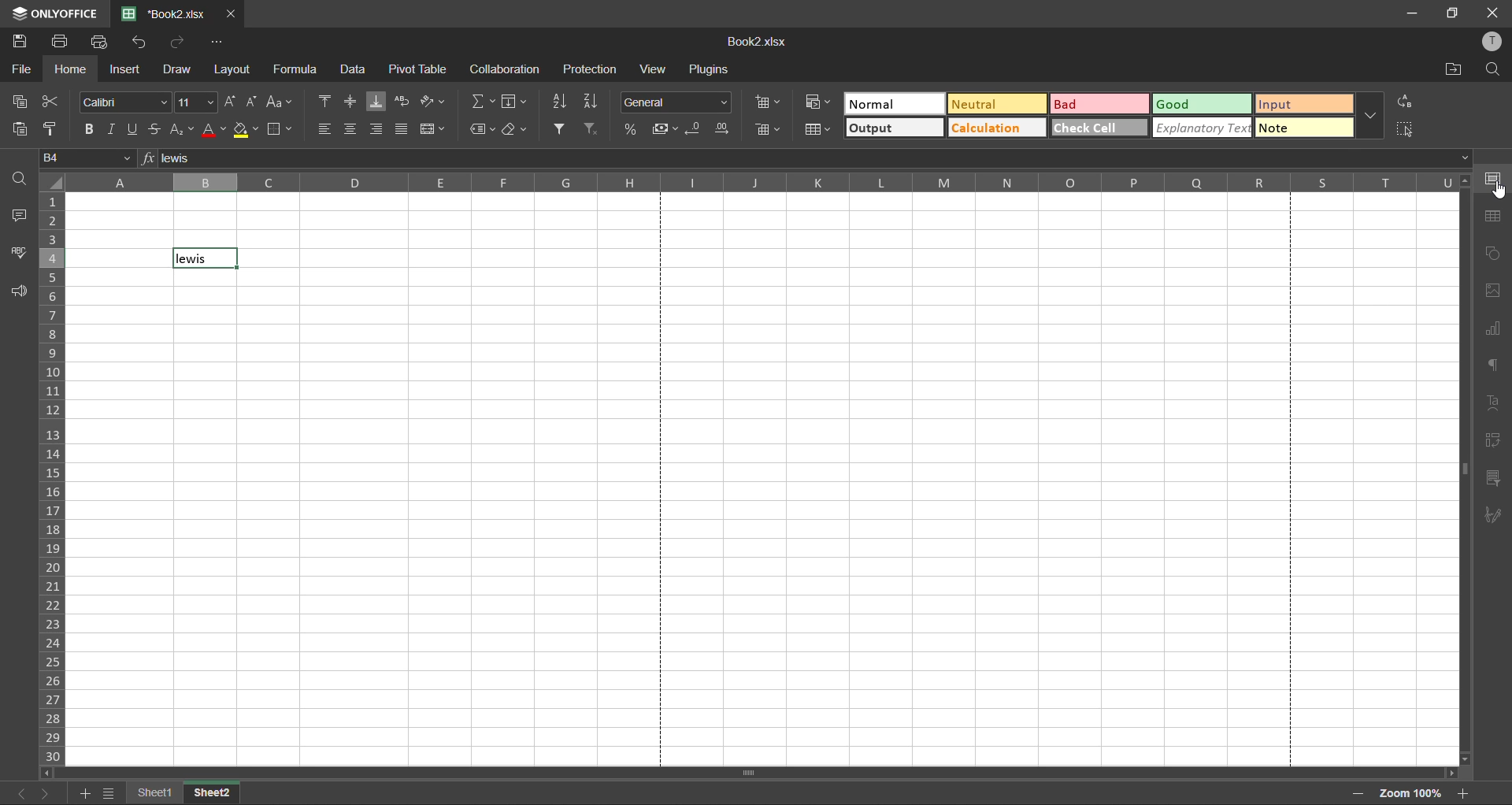 This screenshot has height=805, width=1512. Describe the element at coordinates (248, 132) in the screenshot. I see `fill color` at that location.